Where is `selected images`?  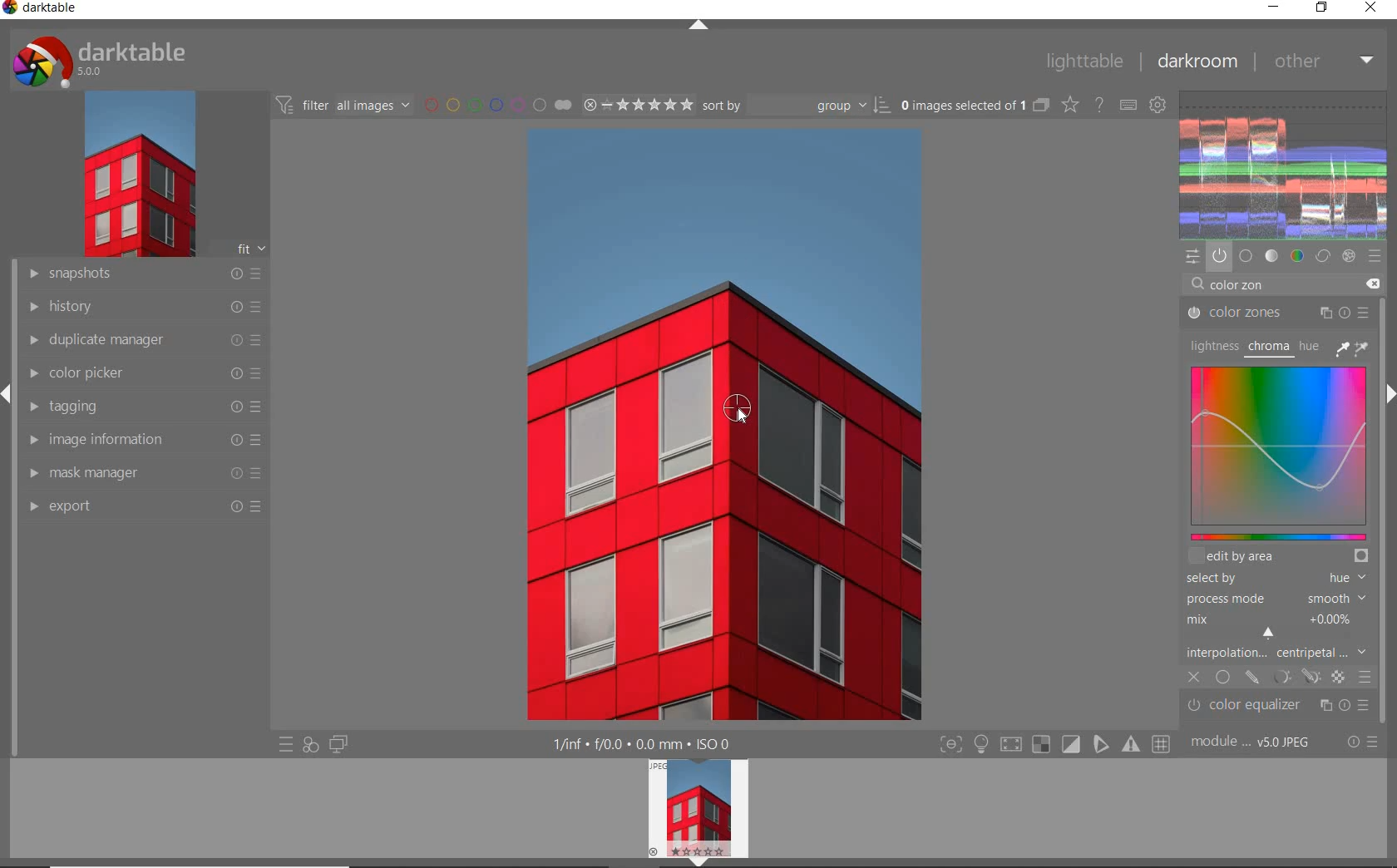 selected images is located at coordinates (974, 106).